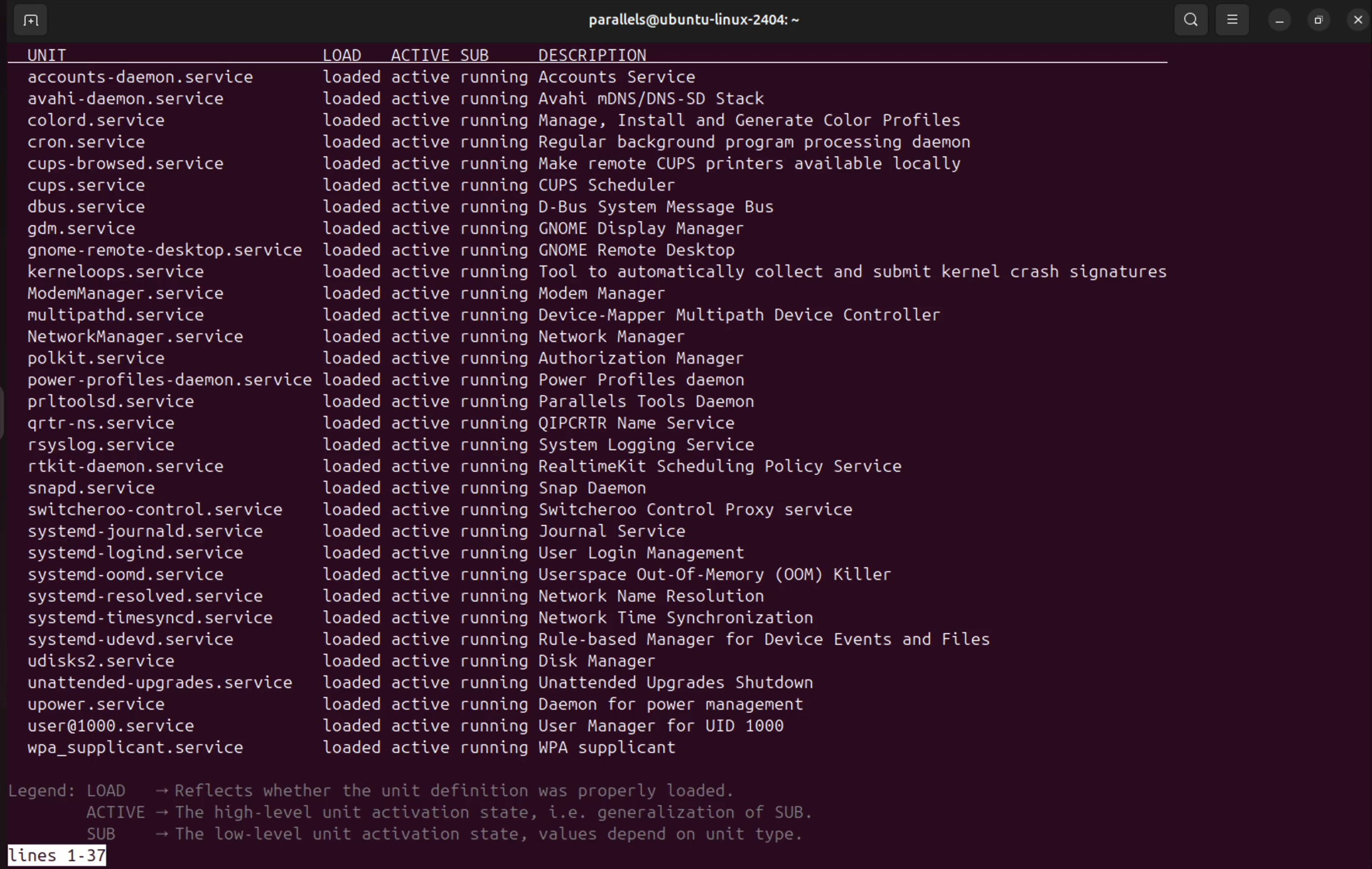 This screenshot has width=1372, height=869. What do you see at coordinates (144, 336) in the screenshot?
I see `net work manager service` at bounding box center [144, 336].